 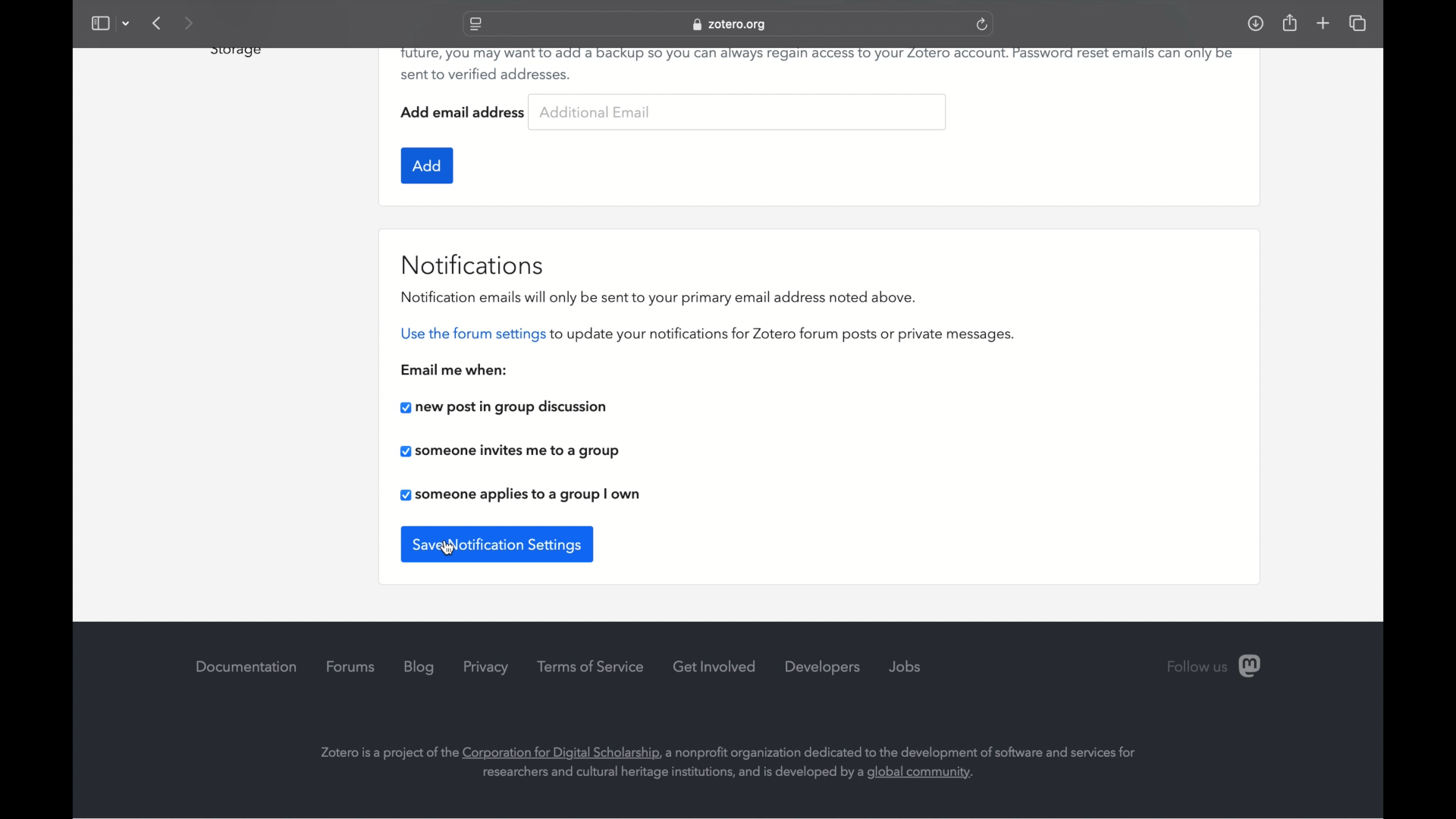 What do you see at coordinates (1359, 24) in the screenshot?
I see `show tab overview` at bounding box center [1359, 24].